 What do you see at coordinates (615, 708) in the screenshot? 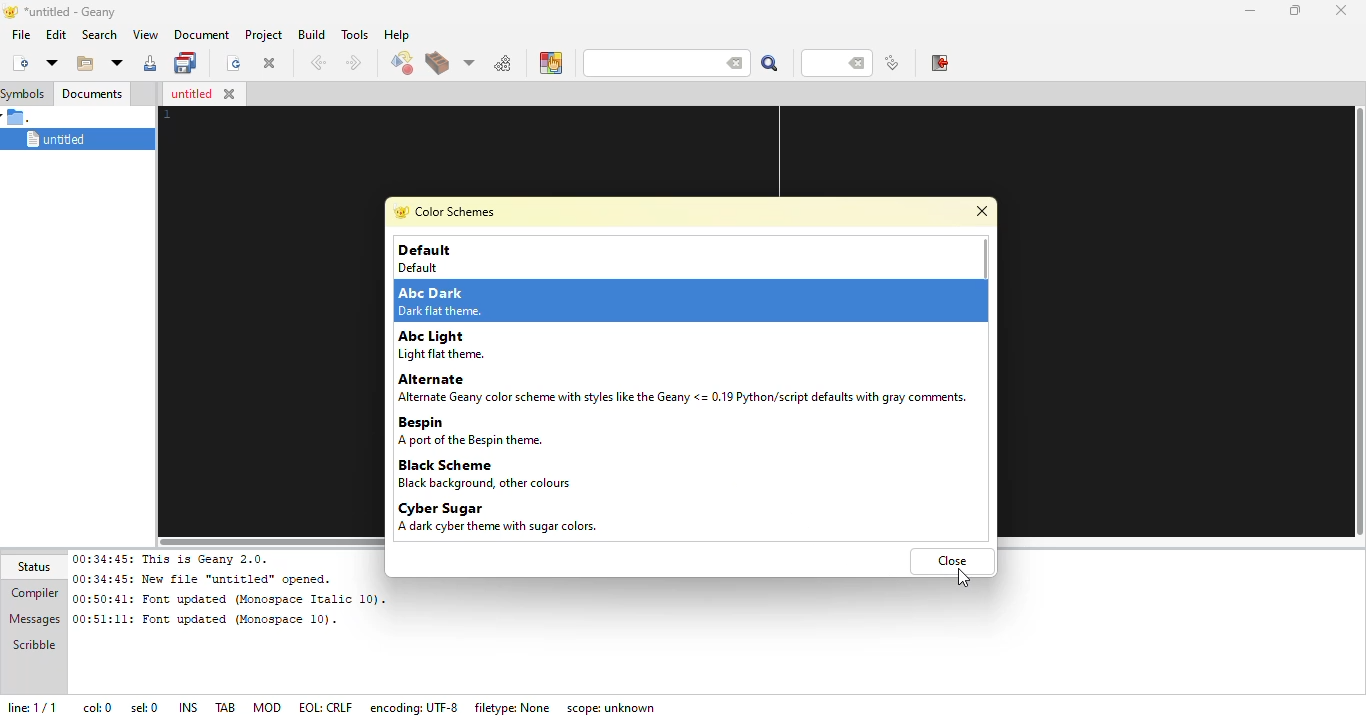
I see `scope: unknown` at bounding box center [615, 708].